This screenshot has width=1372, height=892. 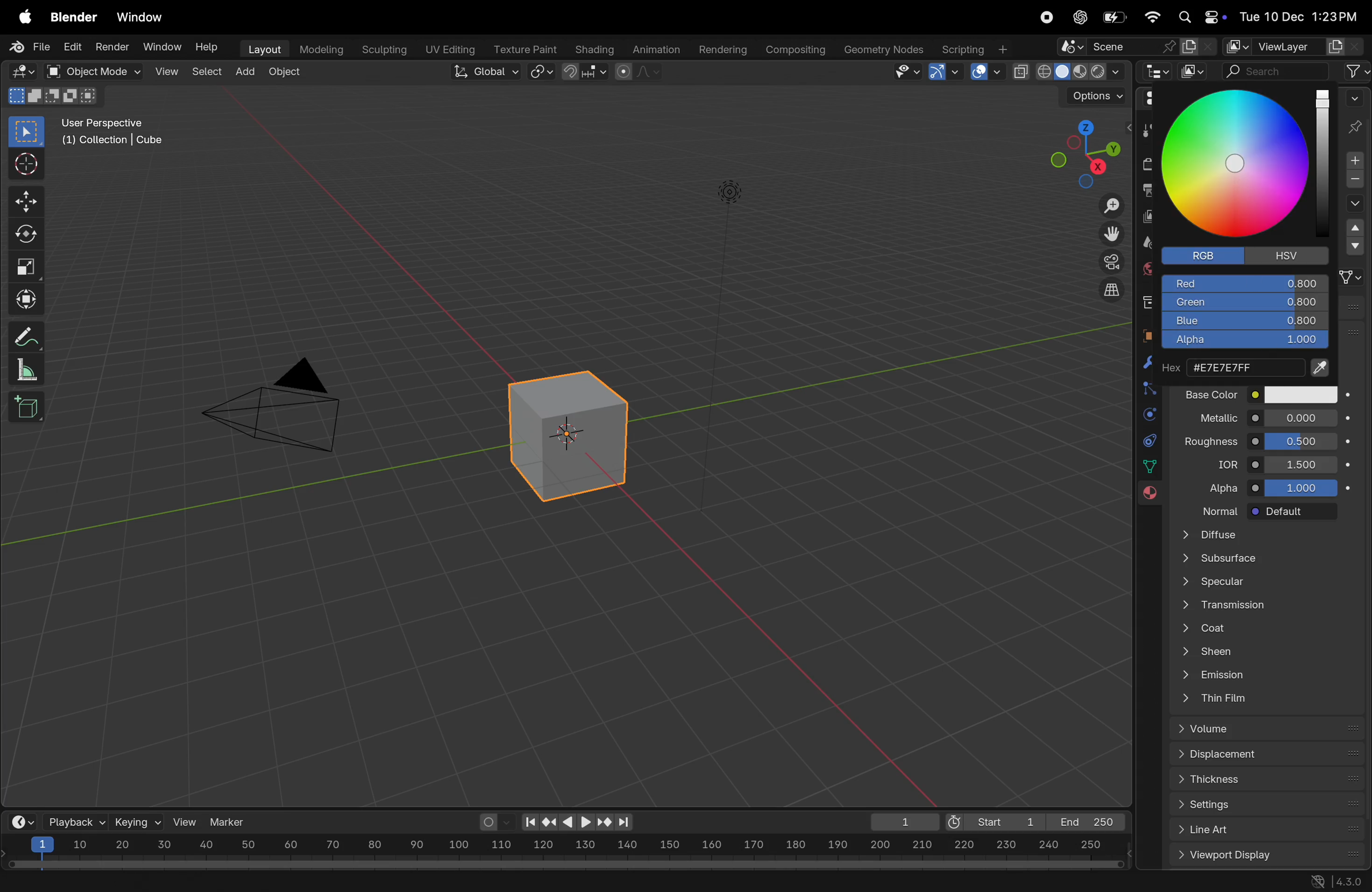 I want to click on output, so click(x=1143, y=191).